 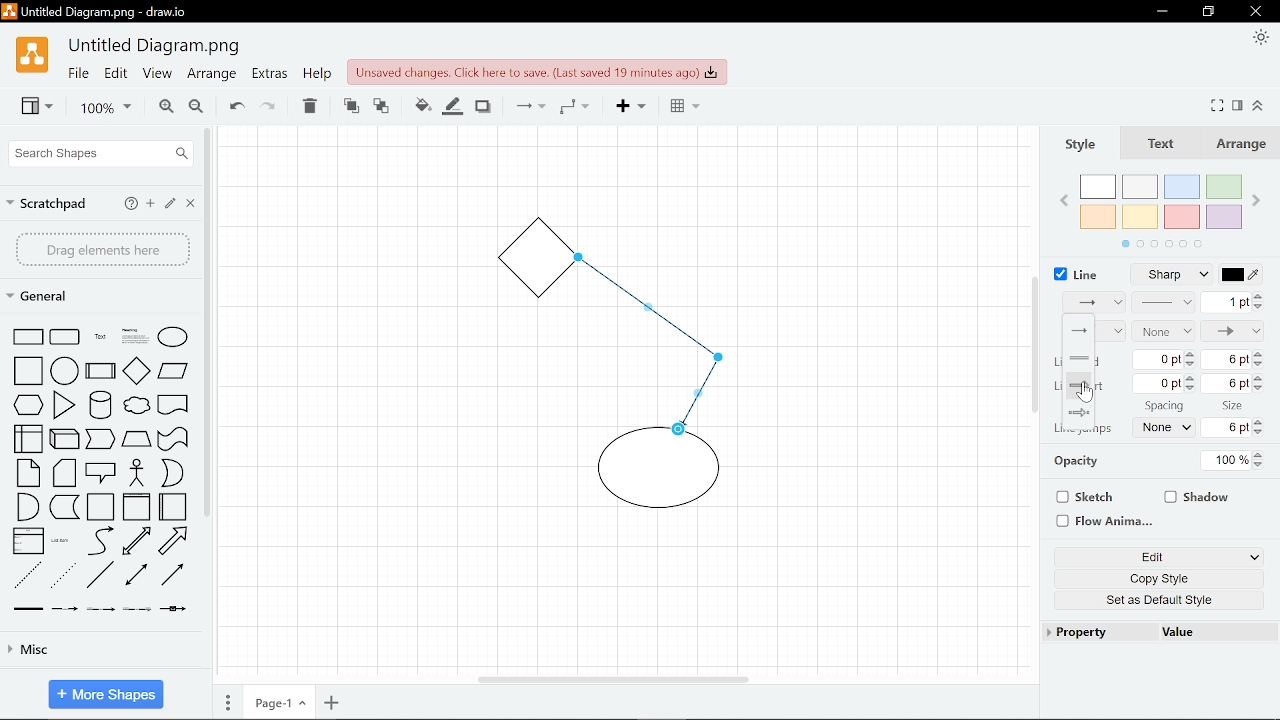 What do you see at coordinates (1255, 558) in the screenshot?
I see `∨` at bounding box center [1255, 558].